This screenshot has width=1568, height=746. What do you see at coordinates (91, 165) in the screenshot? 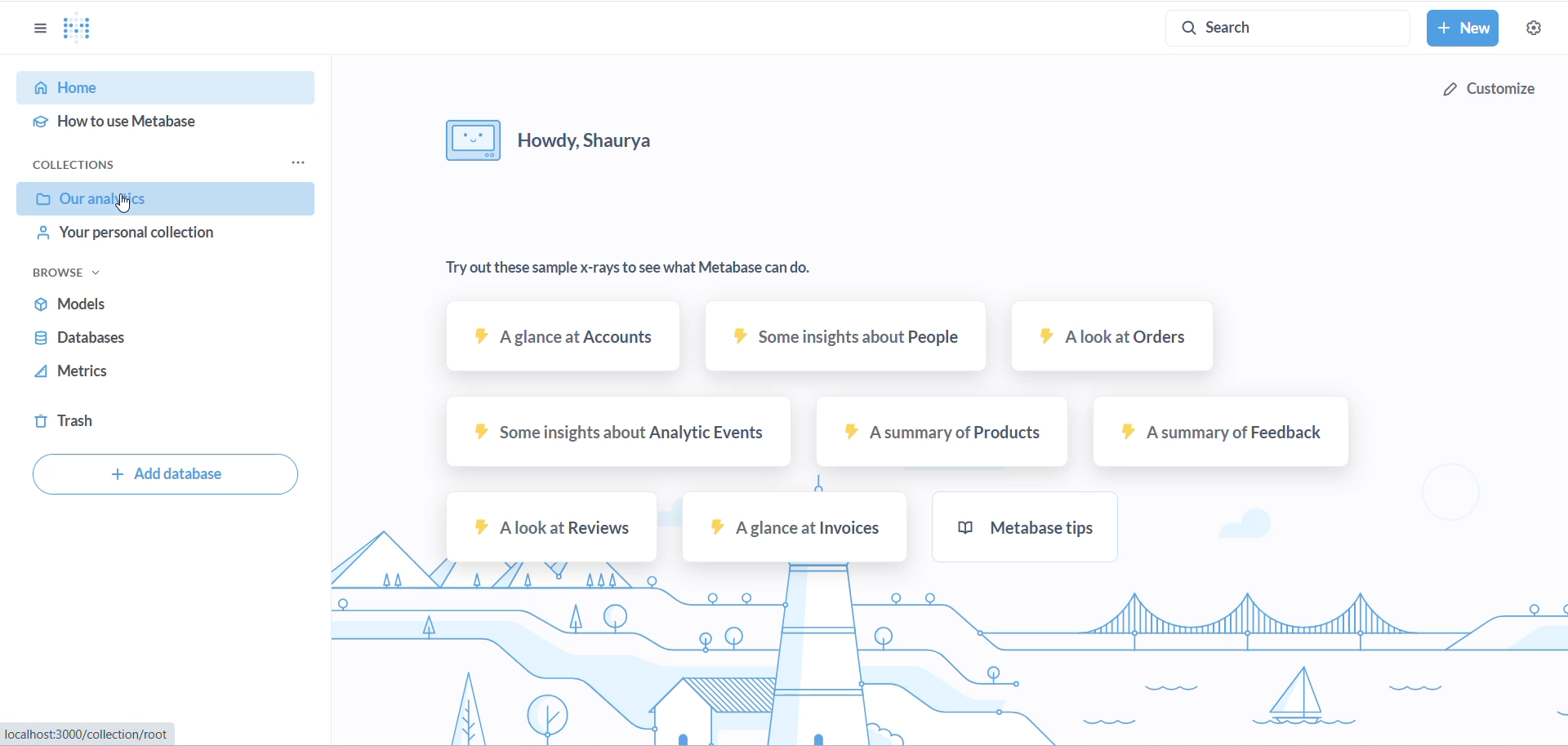
I see `collections ` at bounding box center [91, 165].